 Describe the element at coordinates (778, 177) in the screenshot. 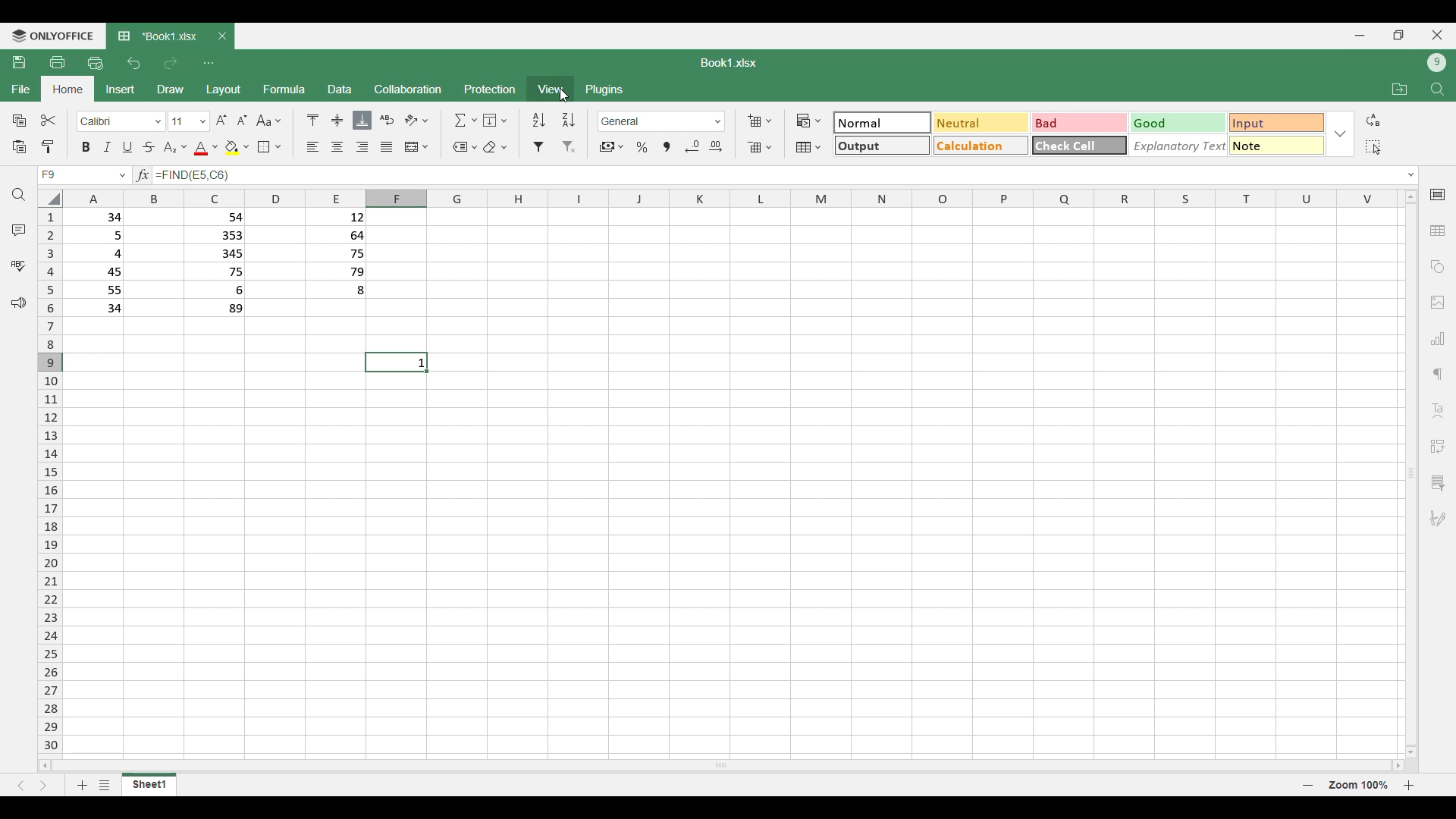

I see `Text box to type in equation` at that location.